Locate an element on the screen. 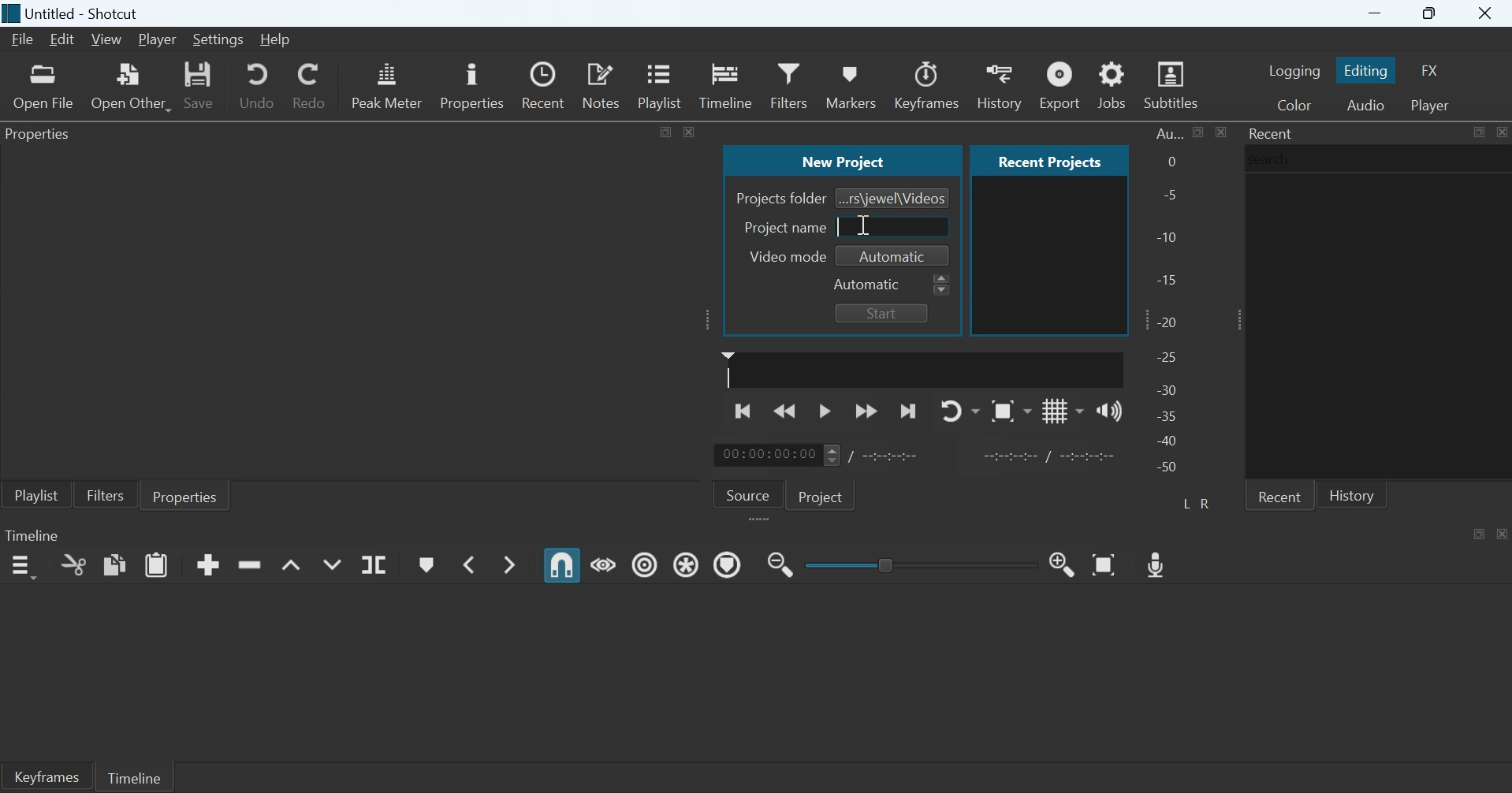 Image resolution: width=1512 pixels, height=793 pixels. Recent projects is located at coordinates (1049, 160).